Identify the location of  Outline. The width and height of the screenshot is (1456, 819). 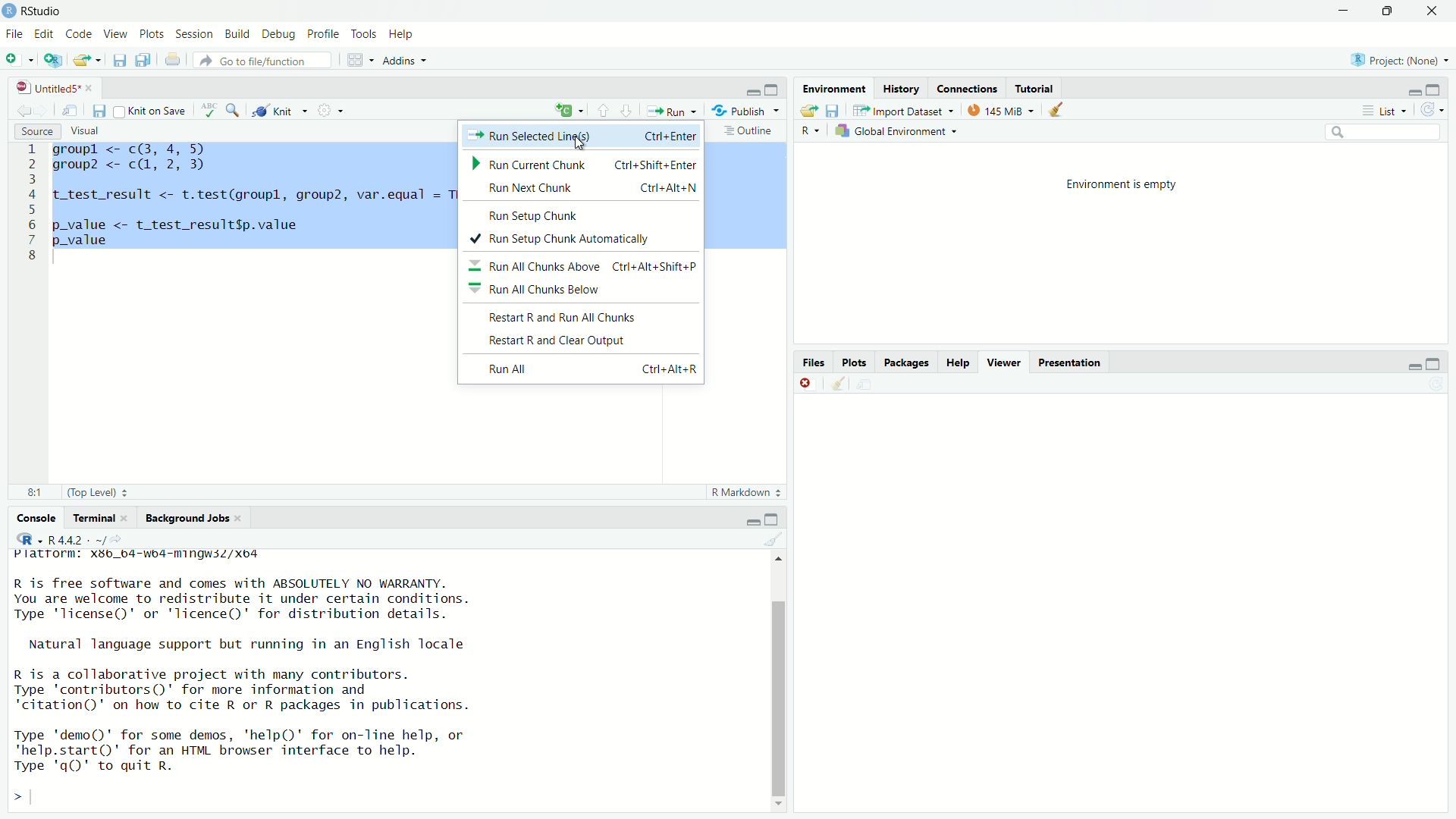
(747, 130).